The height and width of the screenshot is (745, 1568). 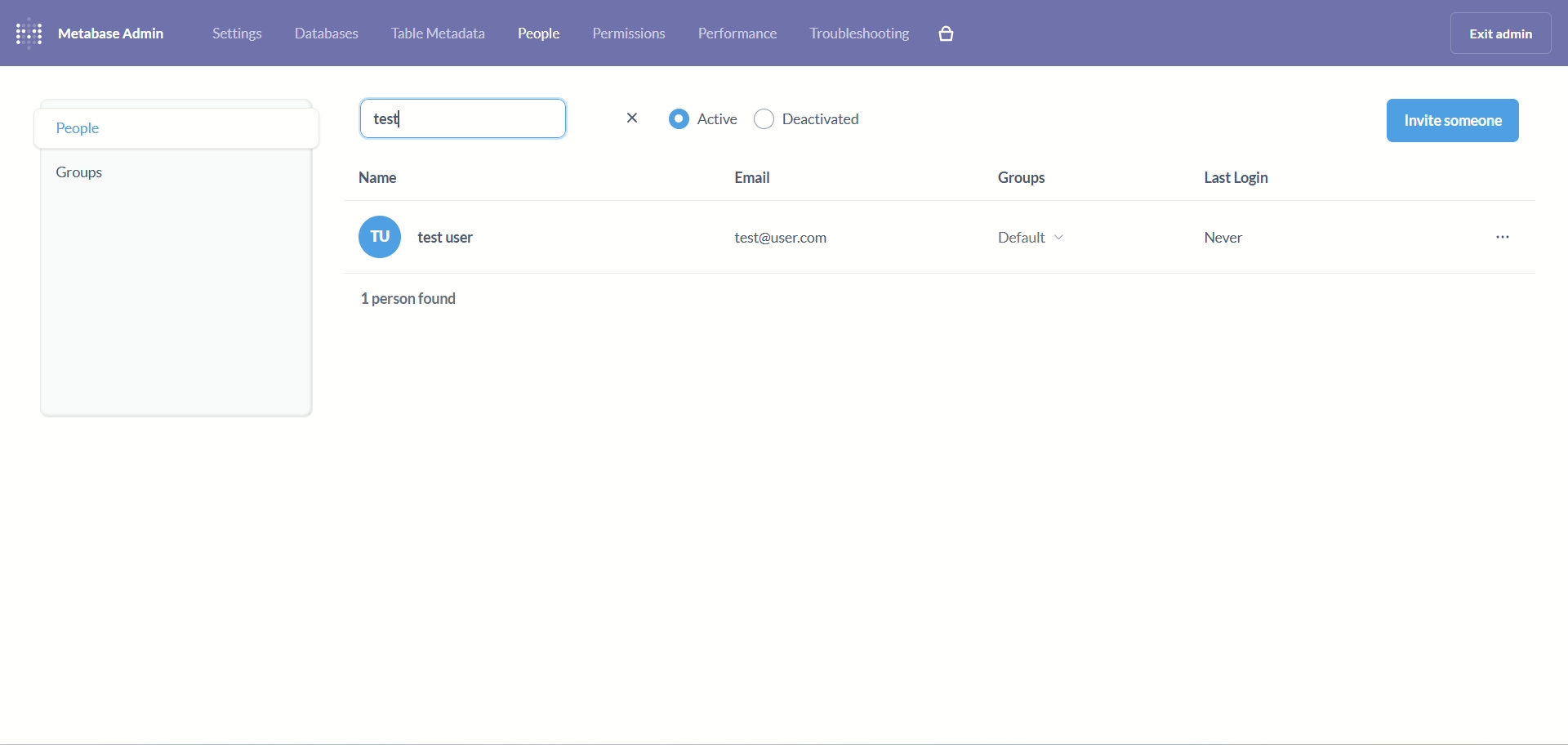 I want to click on close, so click(x=635, y=116).